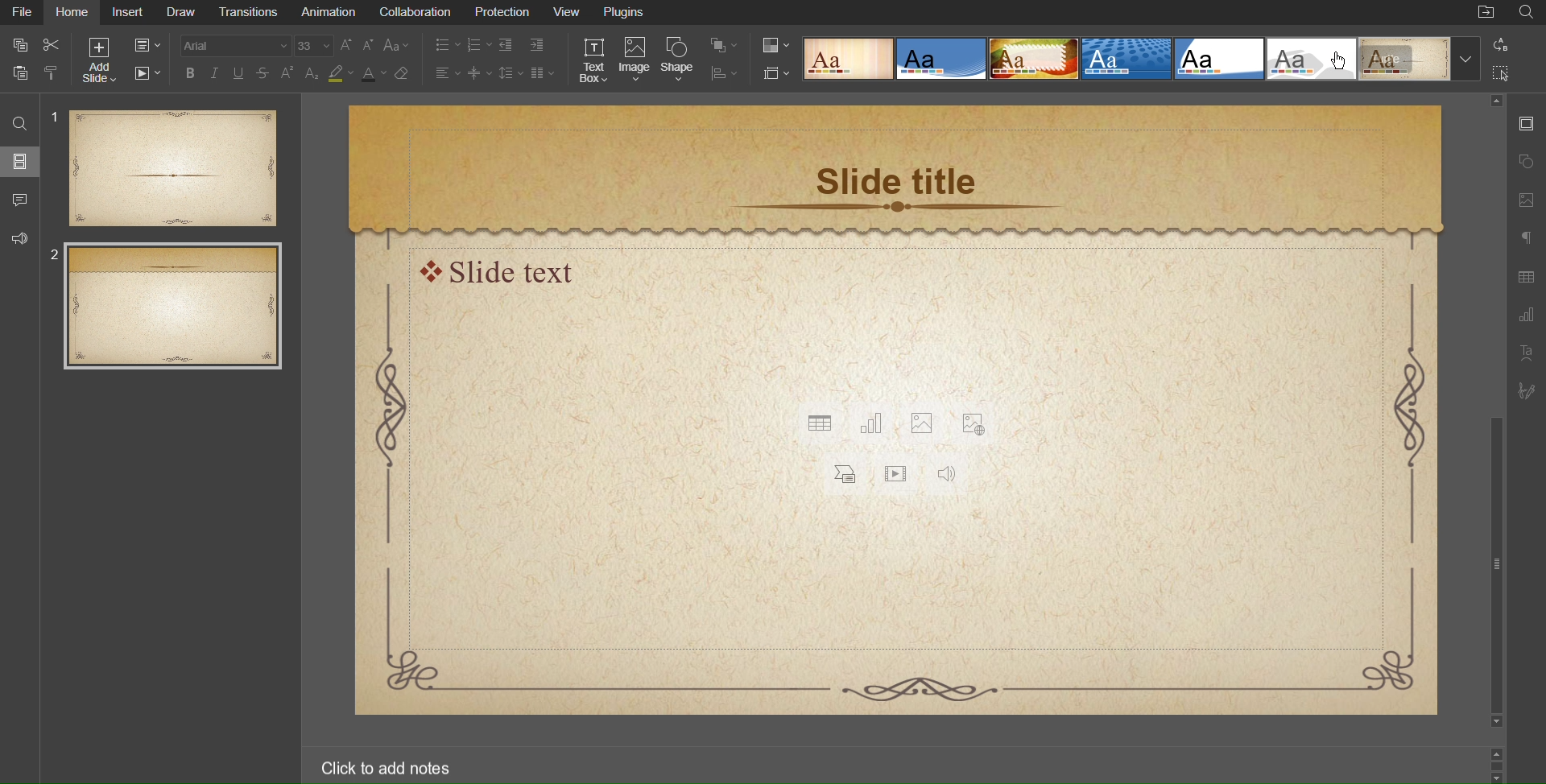 Image resolution: width=1546 pixels, height=784 pixels. I want to click on Column Settings, so click(543, 73).